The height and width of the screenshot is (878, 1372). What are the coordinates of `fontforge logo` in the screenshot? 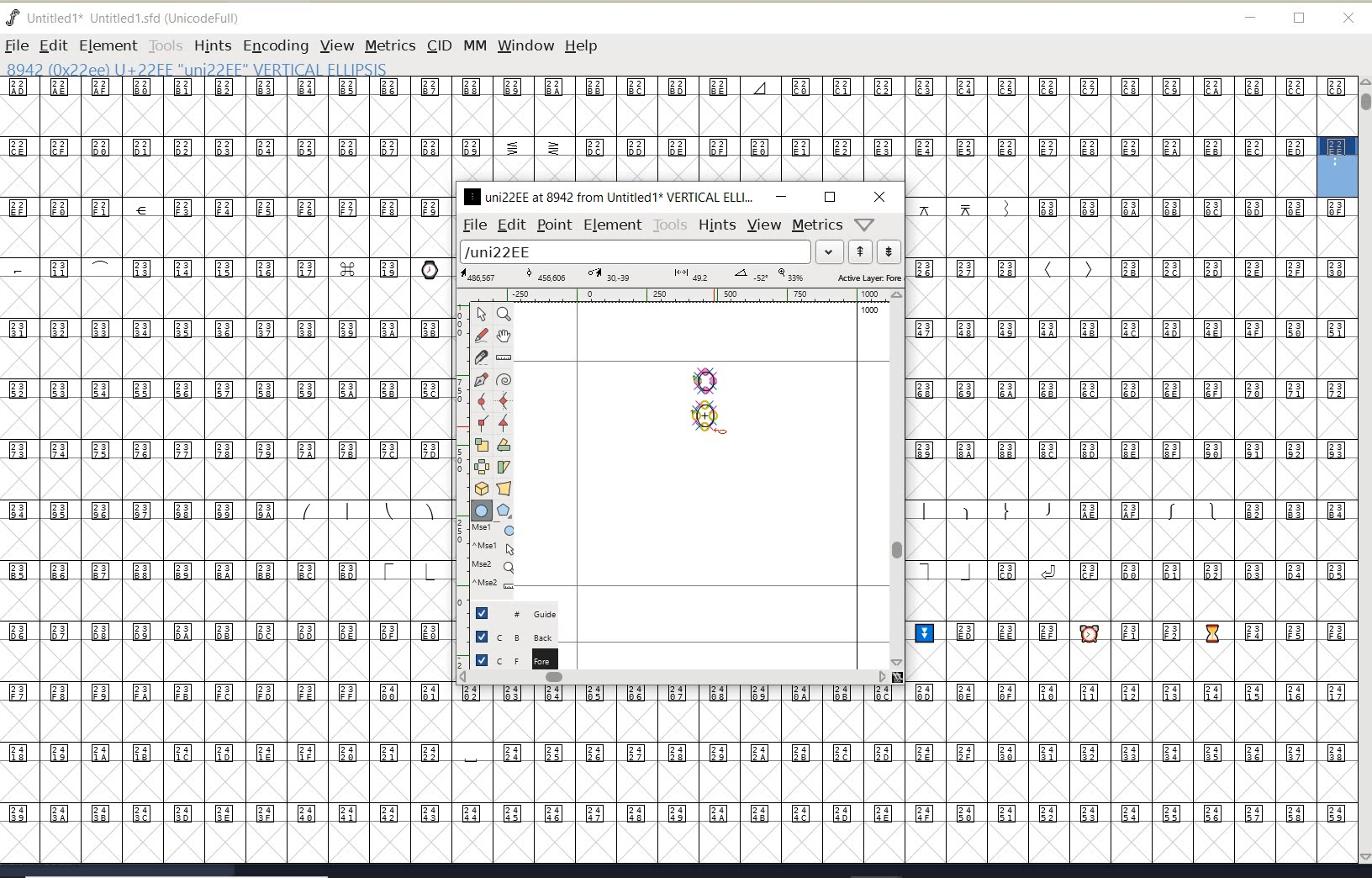 It's located at (13, 18).